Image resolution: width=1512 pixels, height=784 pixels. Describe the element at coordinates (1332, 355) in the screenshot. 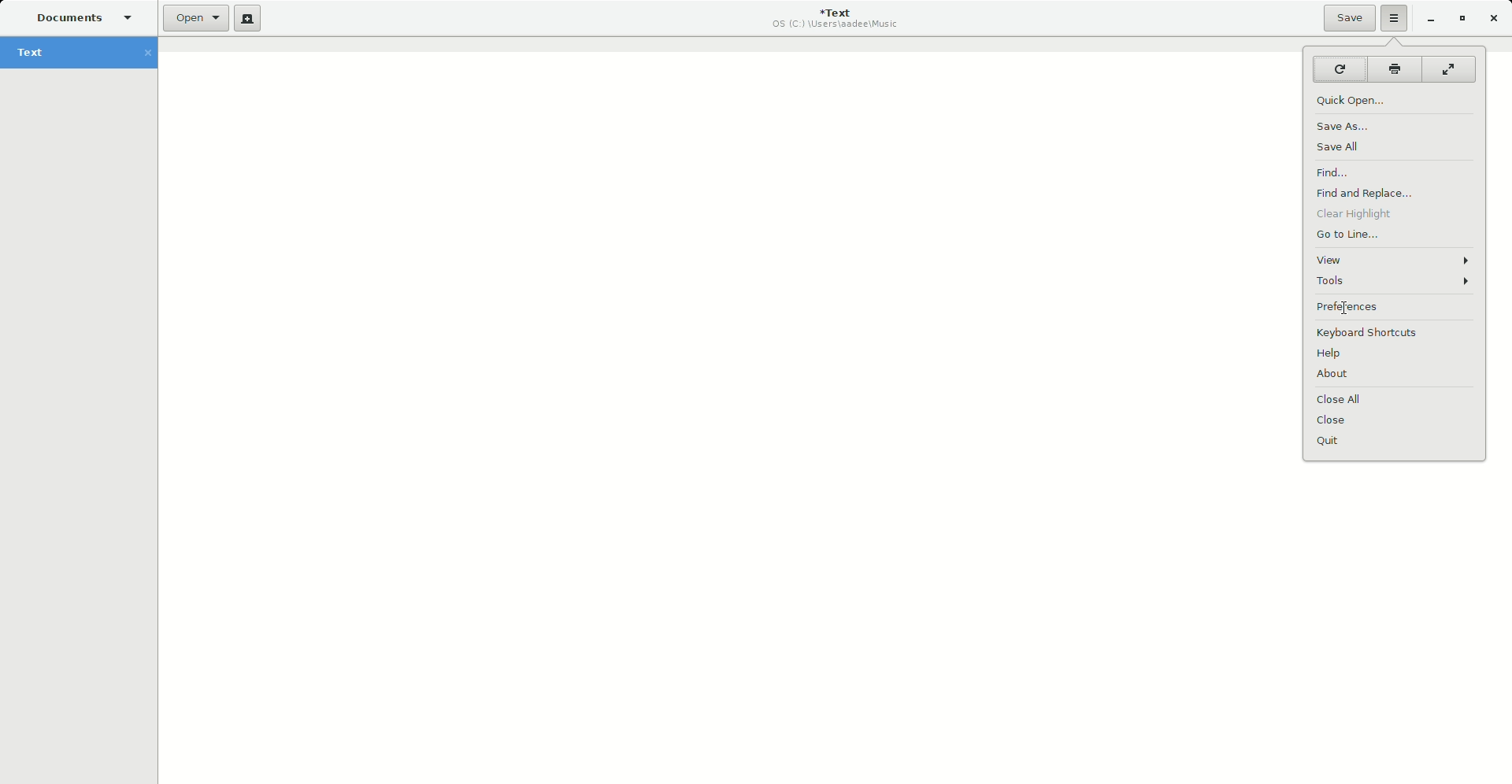

I see `Help` at that location.